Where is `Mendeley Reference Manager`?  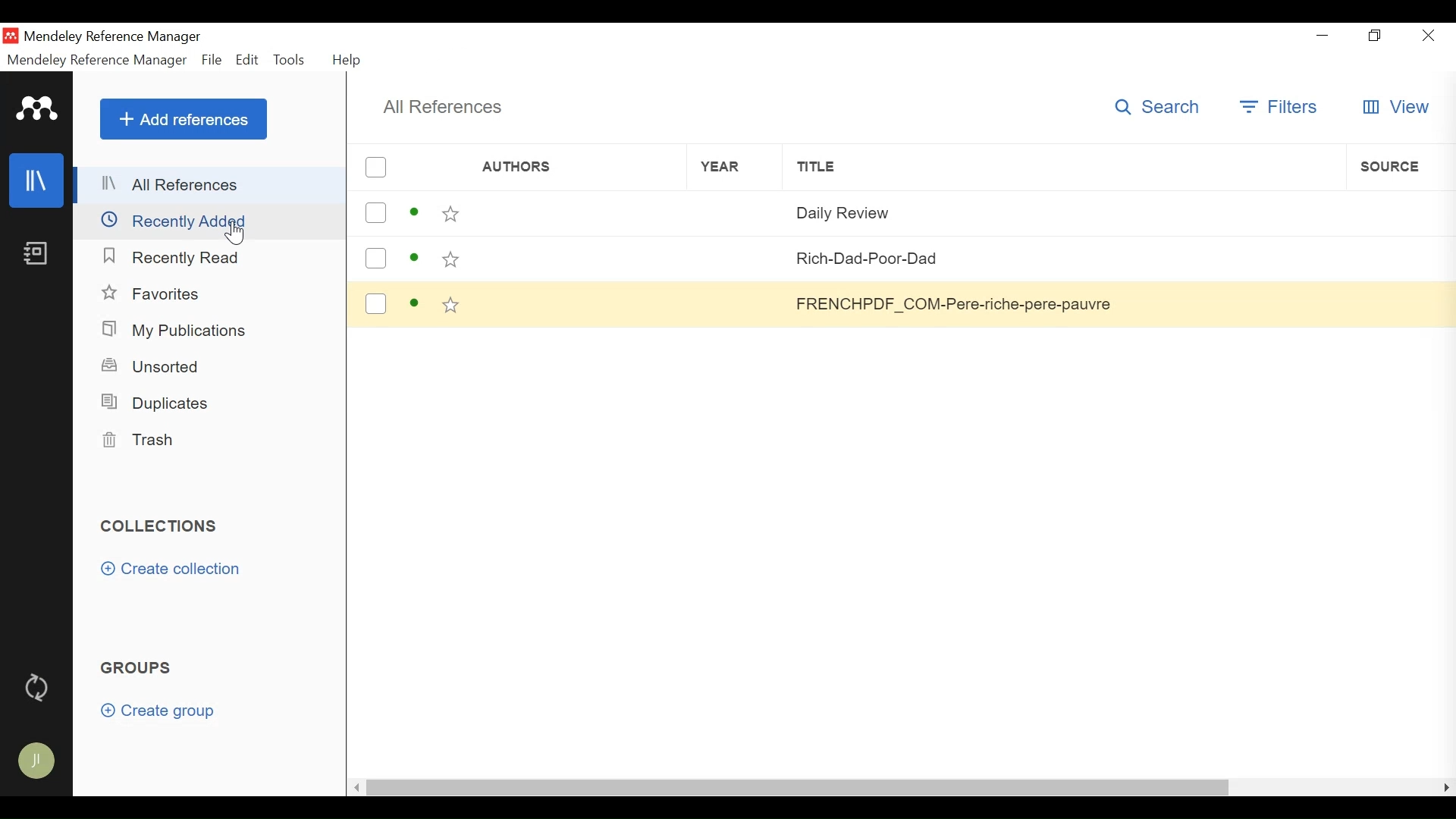 Mendeley Reference Manager is located at coordinates (119, 37).